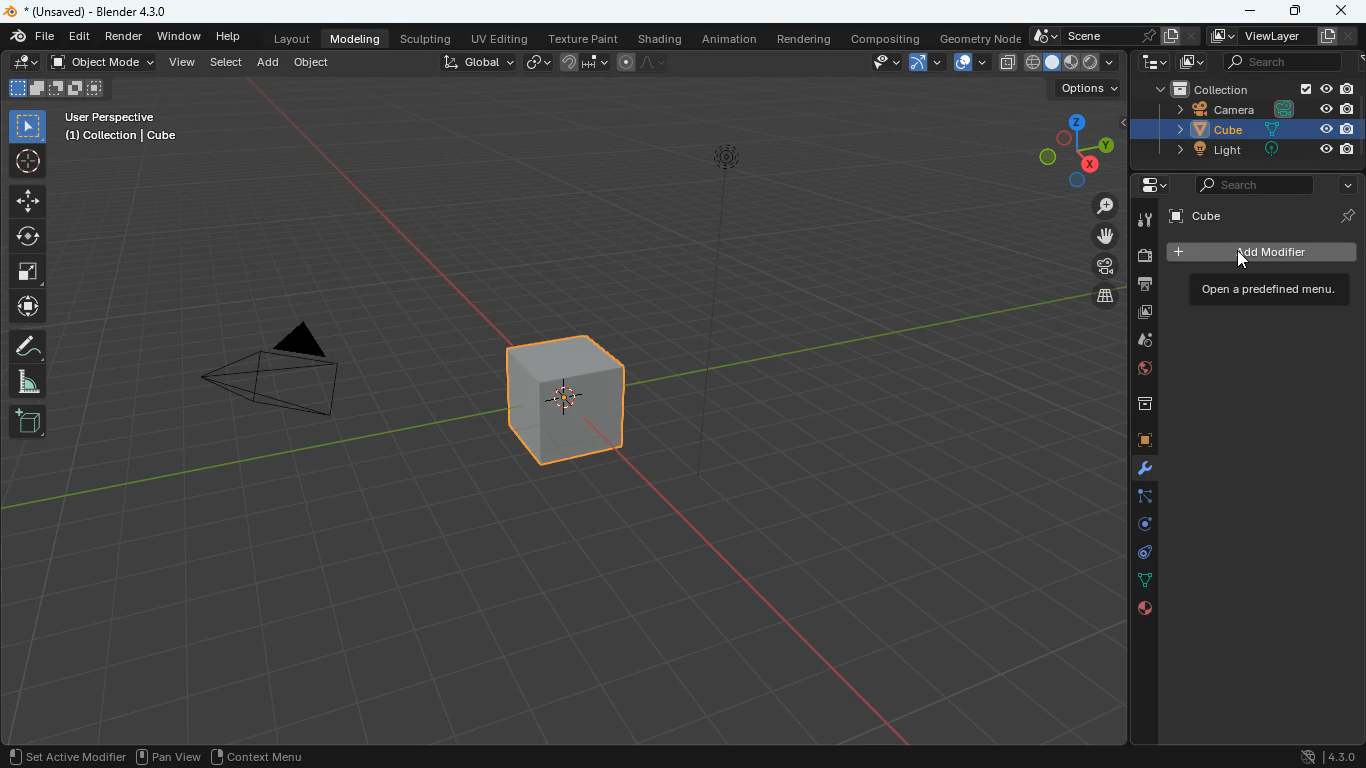 The width and height of the screenshot is (1366, 768). What do you see at coordinates (1293, 9) in the screenshot?
I see `maximize` at bounding box center [1293, 9].